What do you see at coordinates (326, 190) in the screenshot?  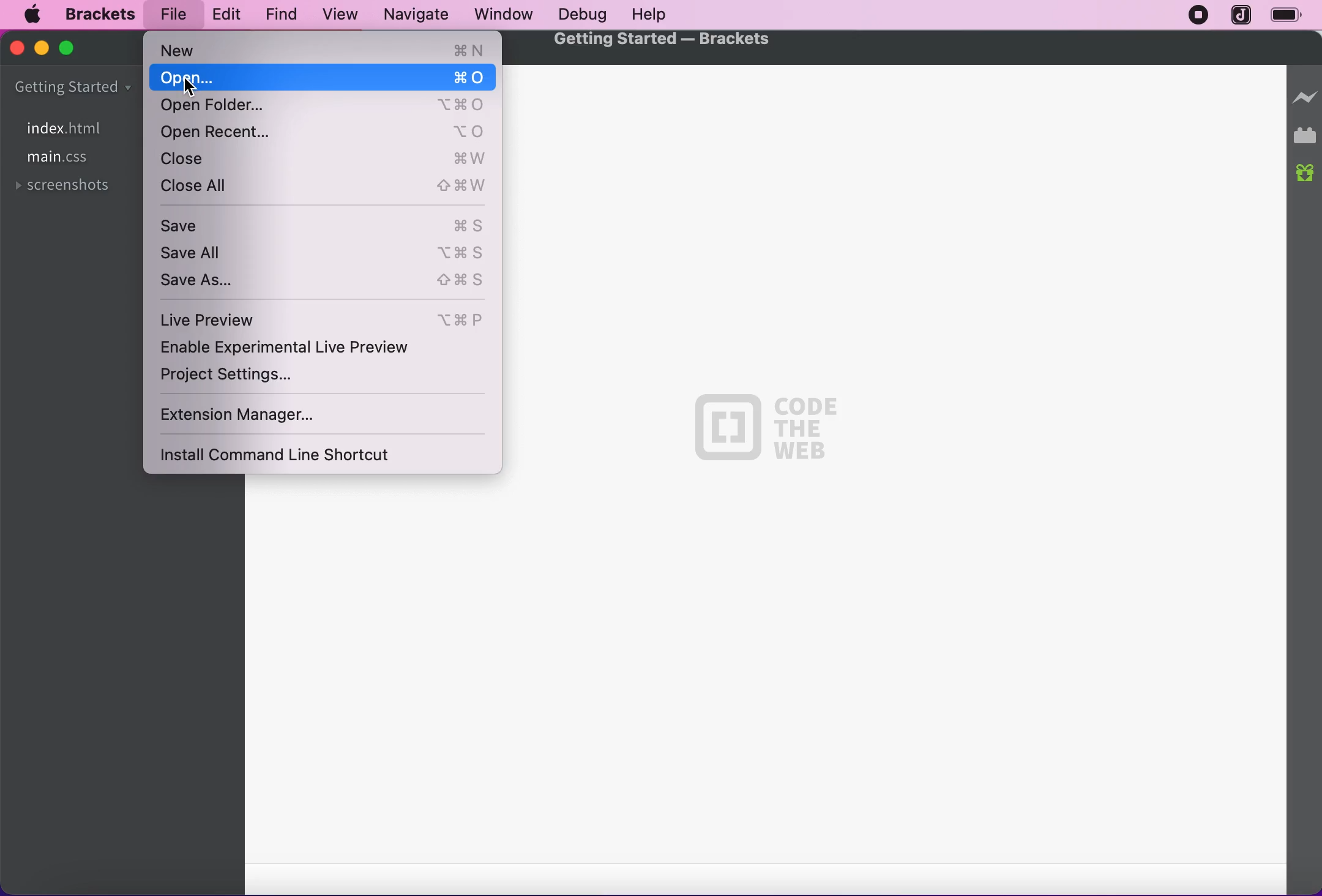 I see `close all` at bounding box center [326, 190].